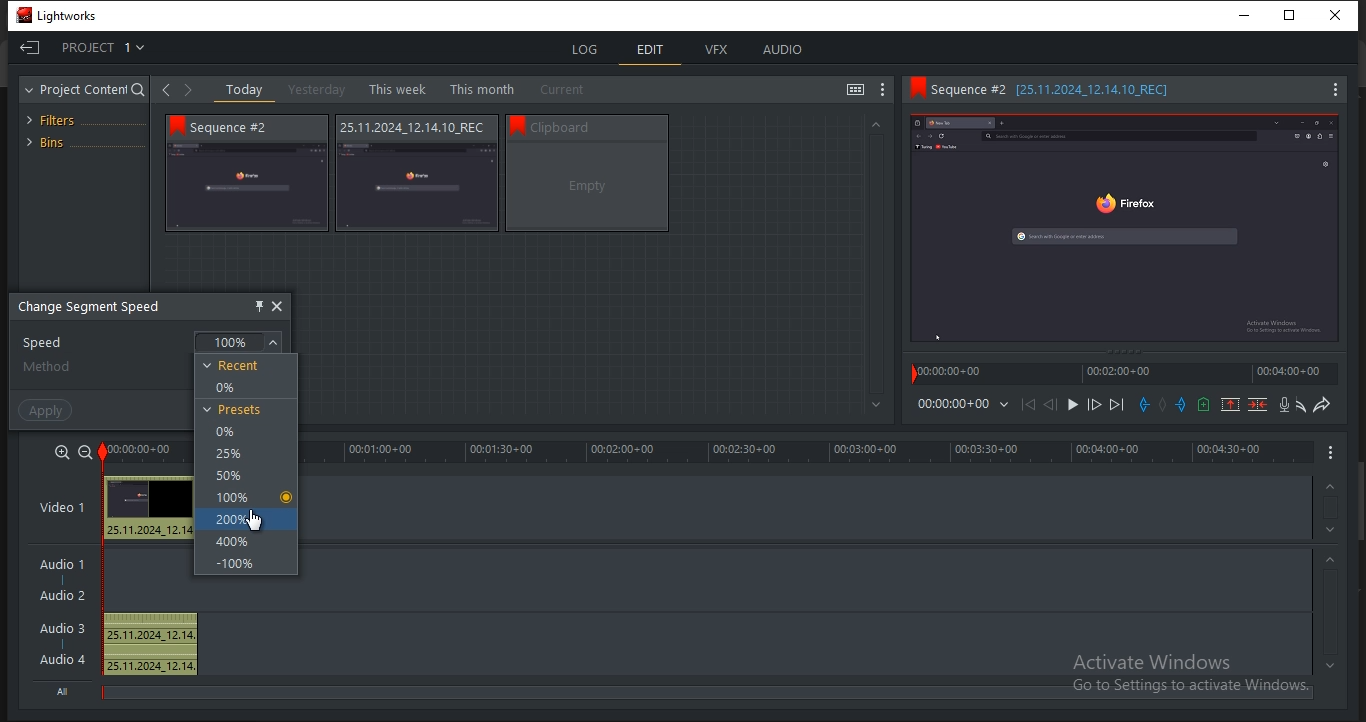  What do you see at coordinates (419, 187) in the screenshot?
I see `video thumbnail` at bounding box center [419, 187].